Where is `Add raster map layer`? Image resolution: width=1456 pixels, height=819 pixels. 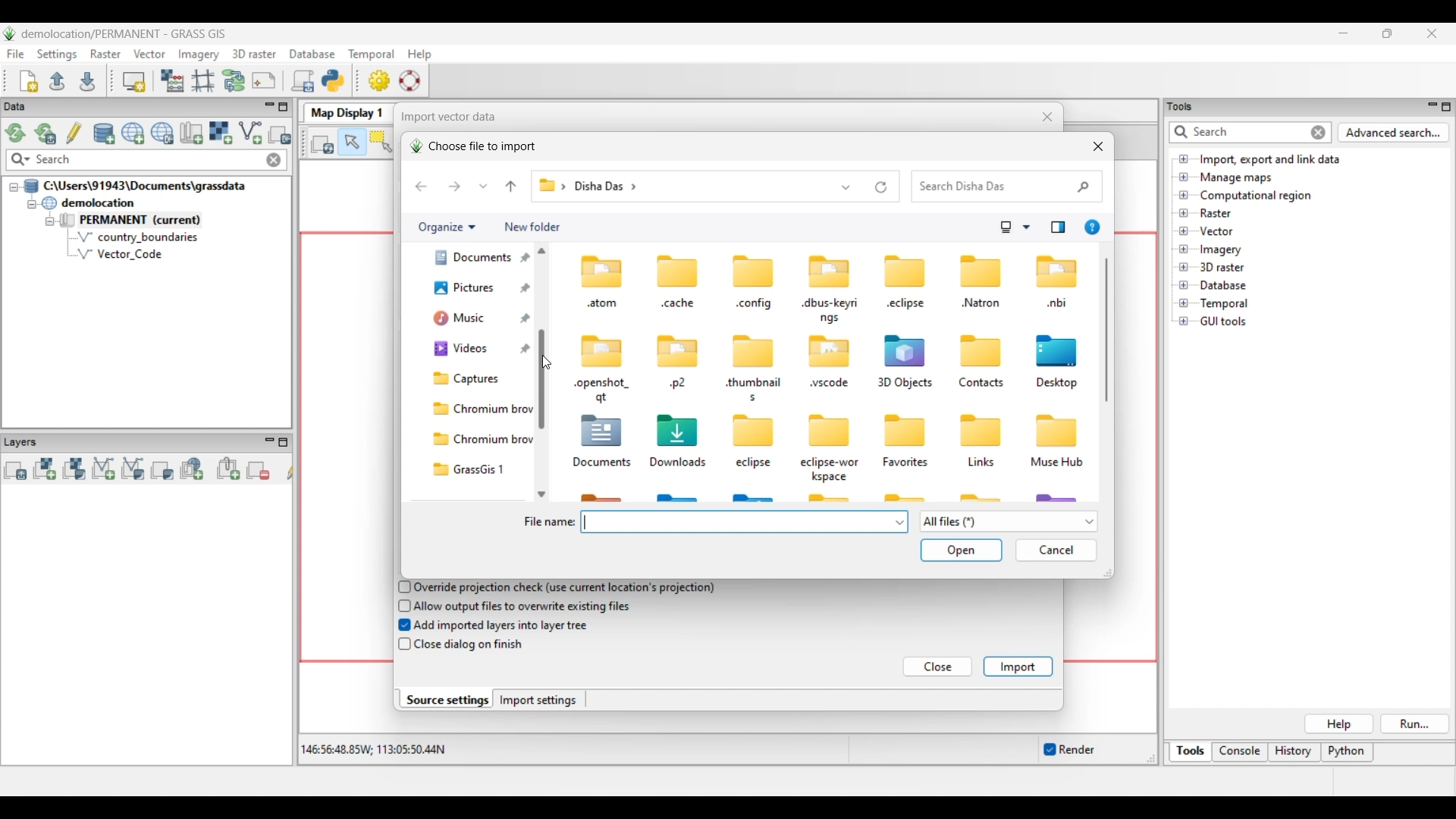 Add raster map layer is located at coordinates (45, 469).